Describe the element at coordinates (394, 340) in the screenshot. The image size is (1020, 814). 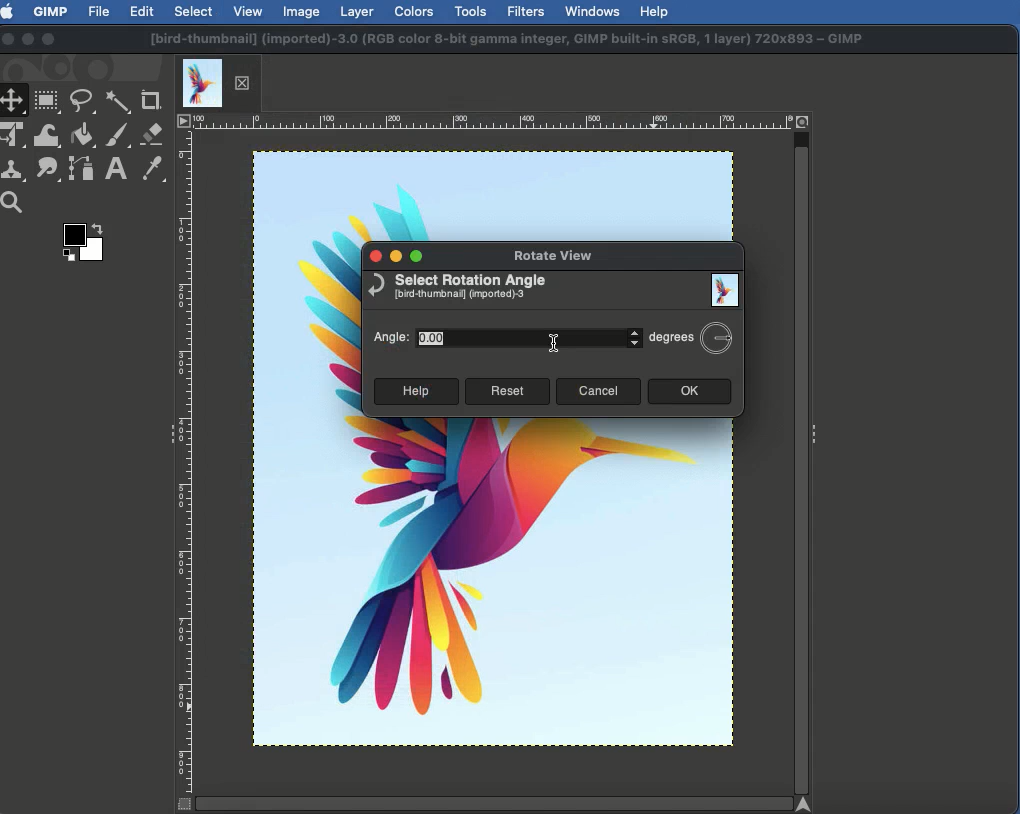
I see `Angle:` at that location.